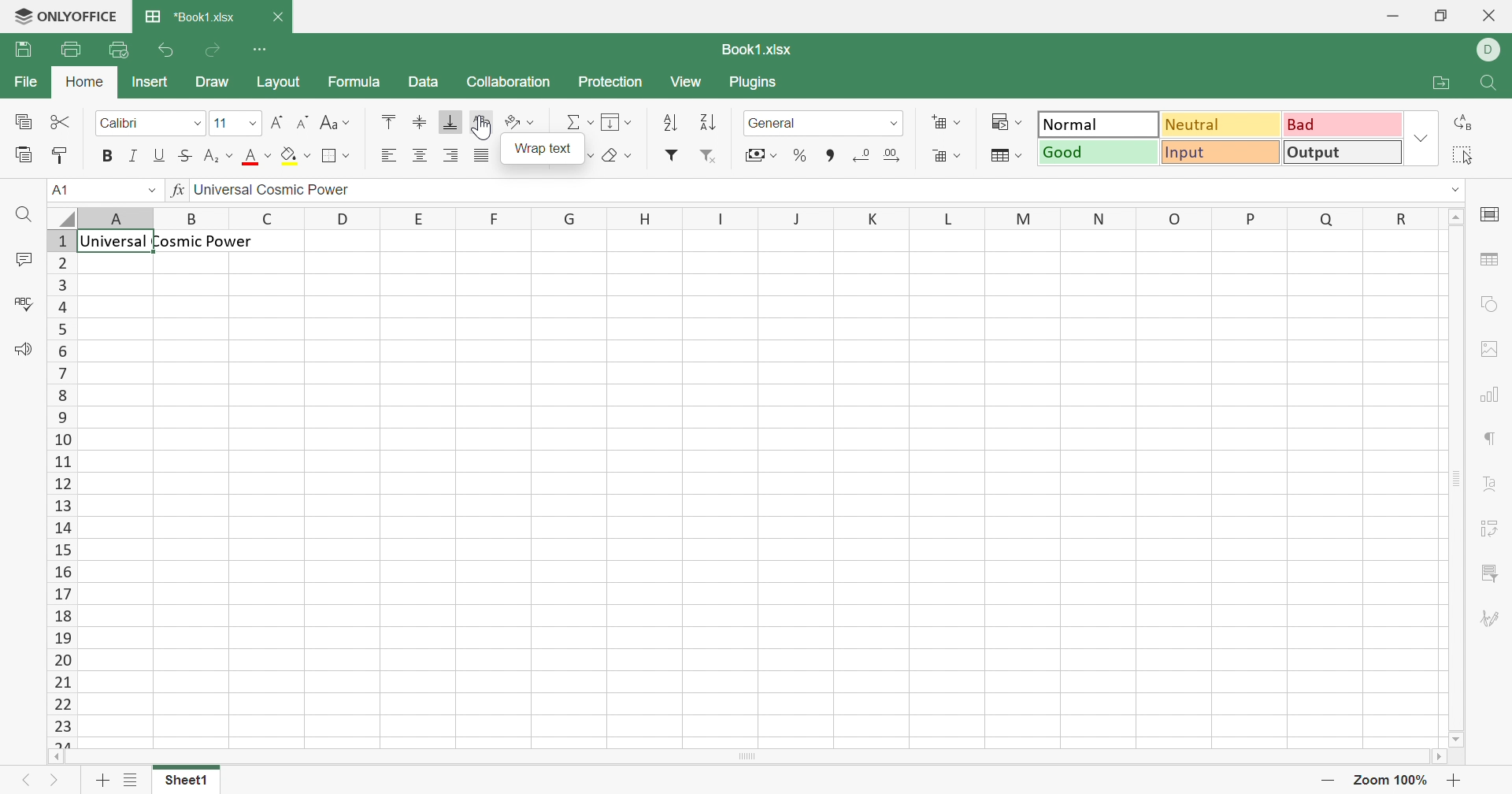  I want to click on Fill, so click(617, 123).